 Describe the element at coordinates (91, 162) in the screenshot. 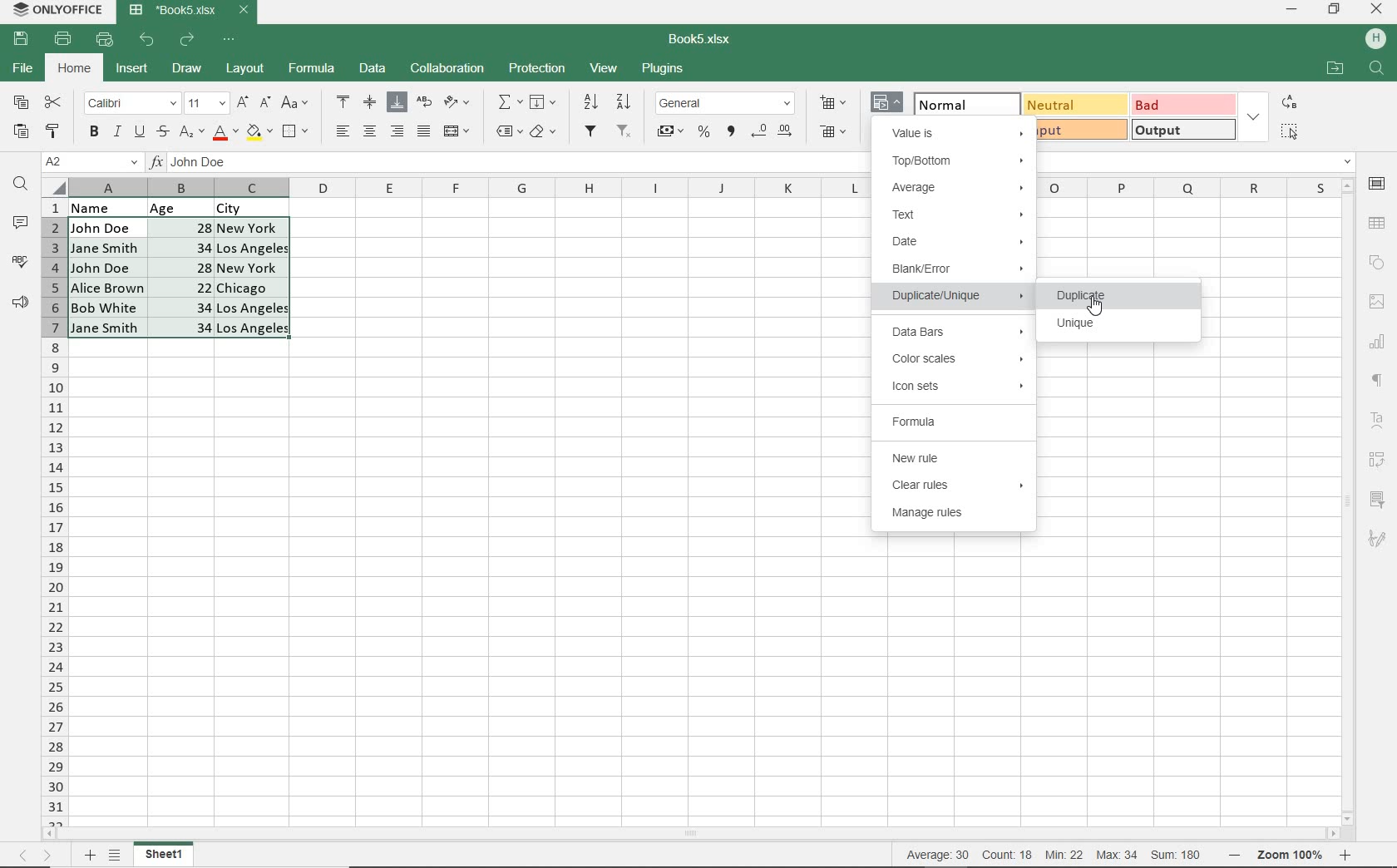

I see `NAME MANAGER` at that location.